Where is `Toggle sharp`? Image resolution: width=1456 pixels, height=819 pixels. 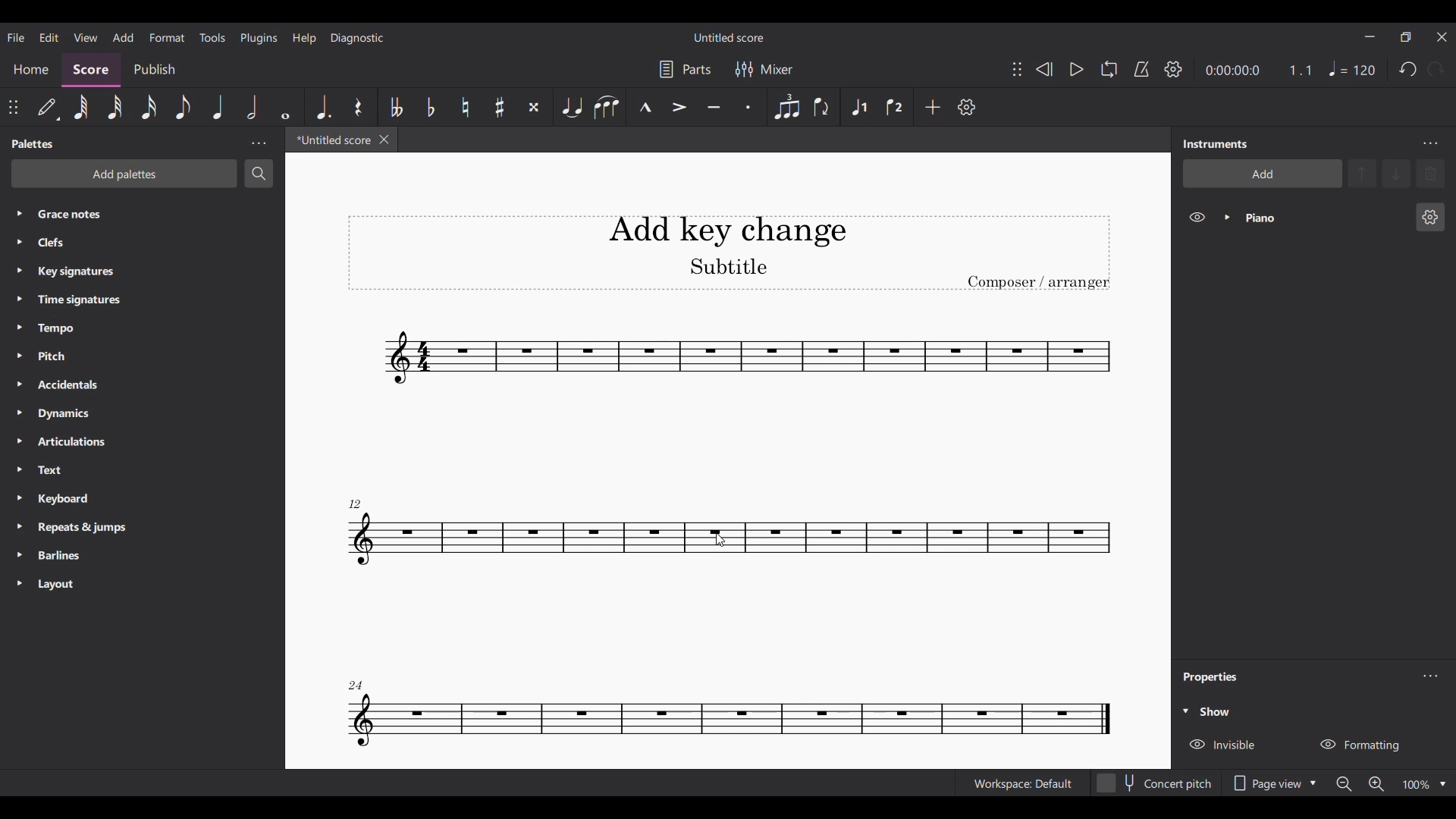 Toggle sharp is located at coordinates (466, 107).